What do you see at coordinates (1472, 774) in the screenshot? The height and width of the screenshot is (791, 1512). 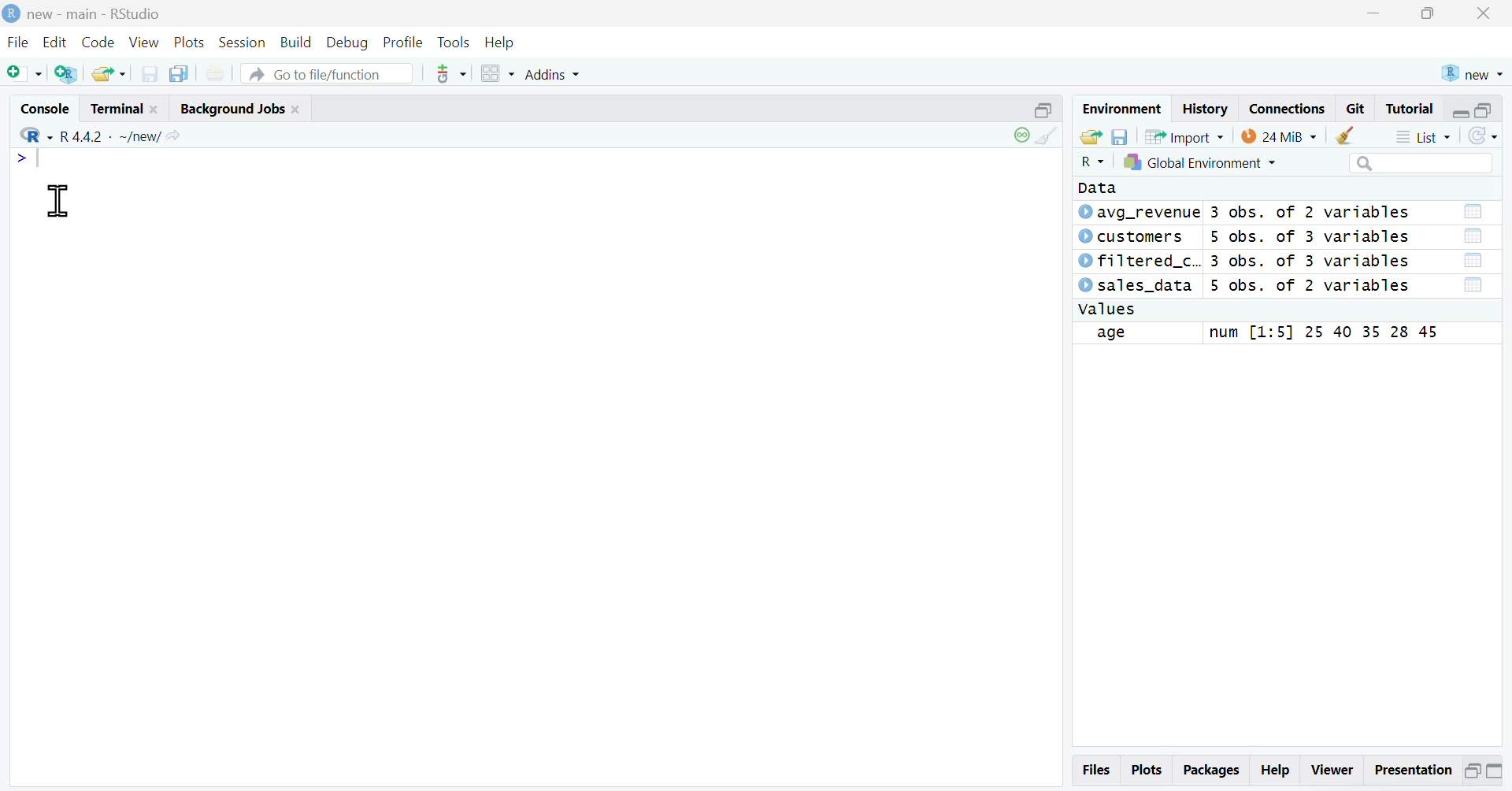 I see `Minimize pane` at bounding box center [1472, 774].